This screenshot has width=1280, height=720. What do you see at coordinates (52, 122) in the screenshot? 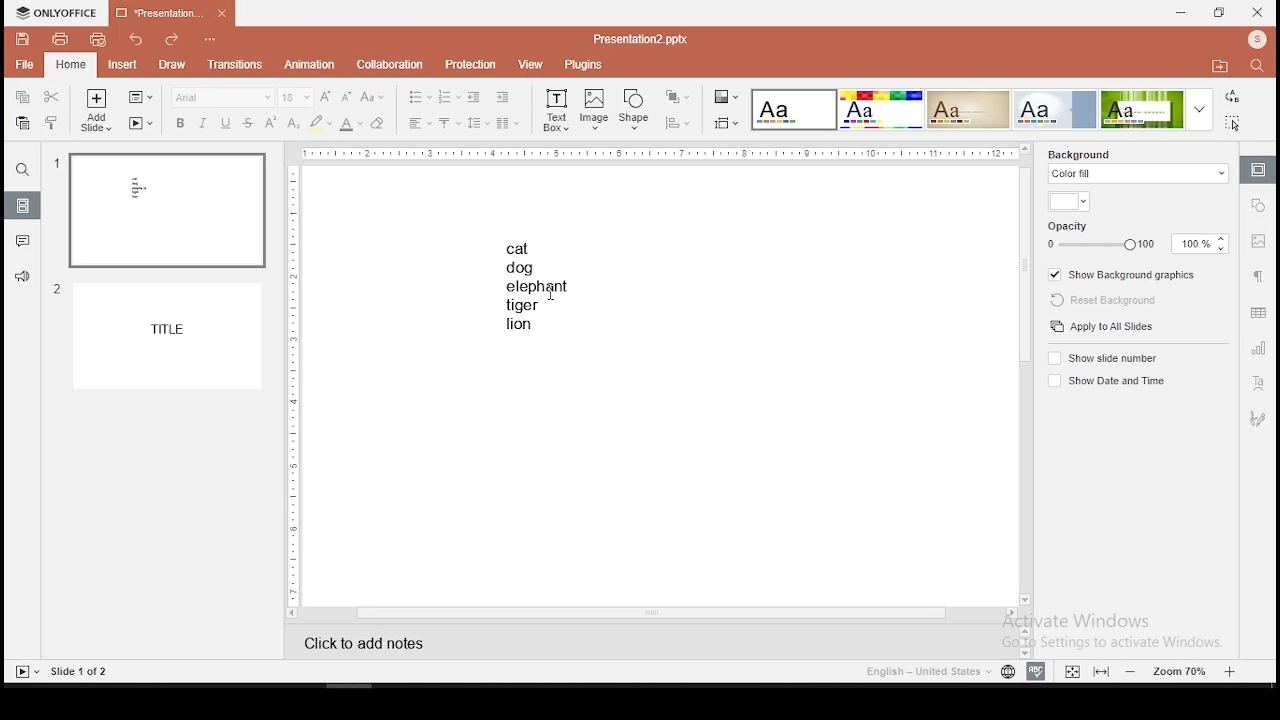
I see `clone formatting` at bounding box center [52, 122].